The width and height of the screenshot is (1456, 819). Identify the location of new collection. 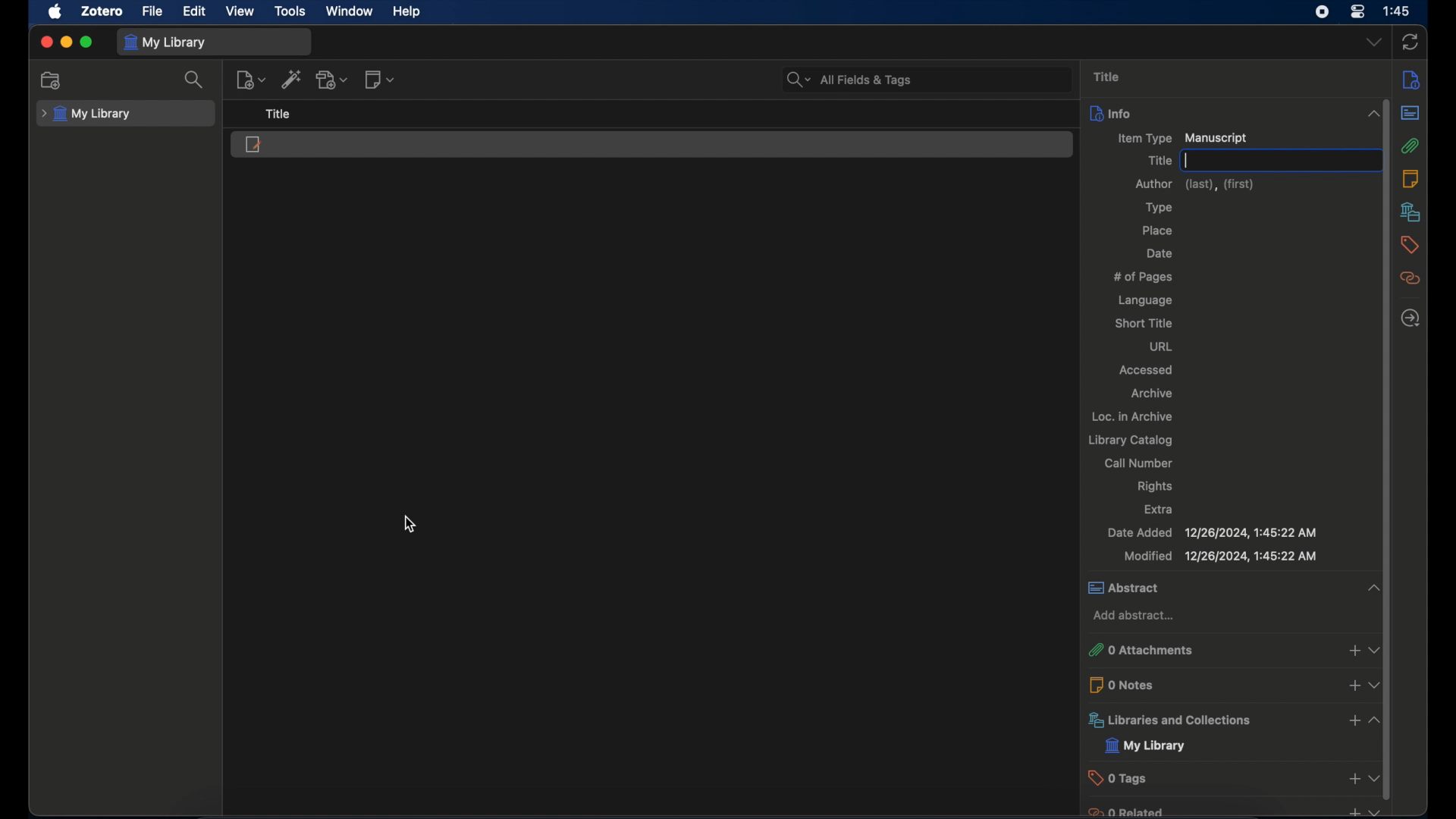
(53, 80).